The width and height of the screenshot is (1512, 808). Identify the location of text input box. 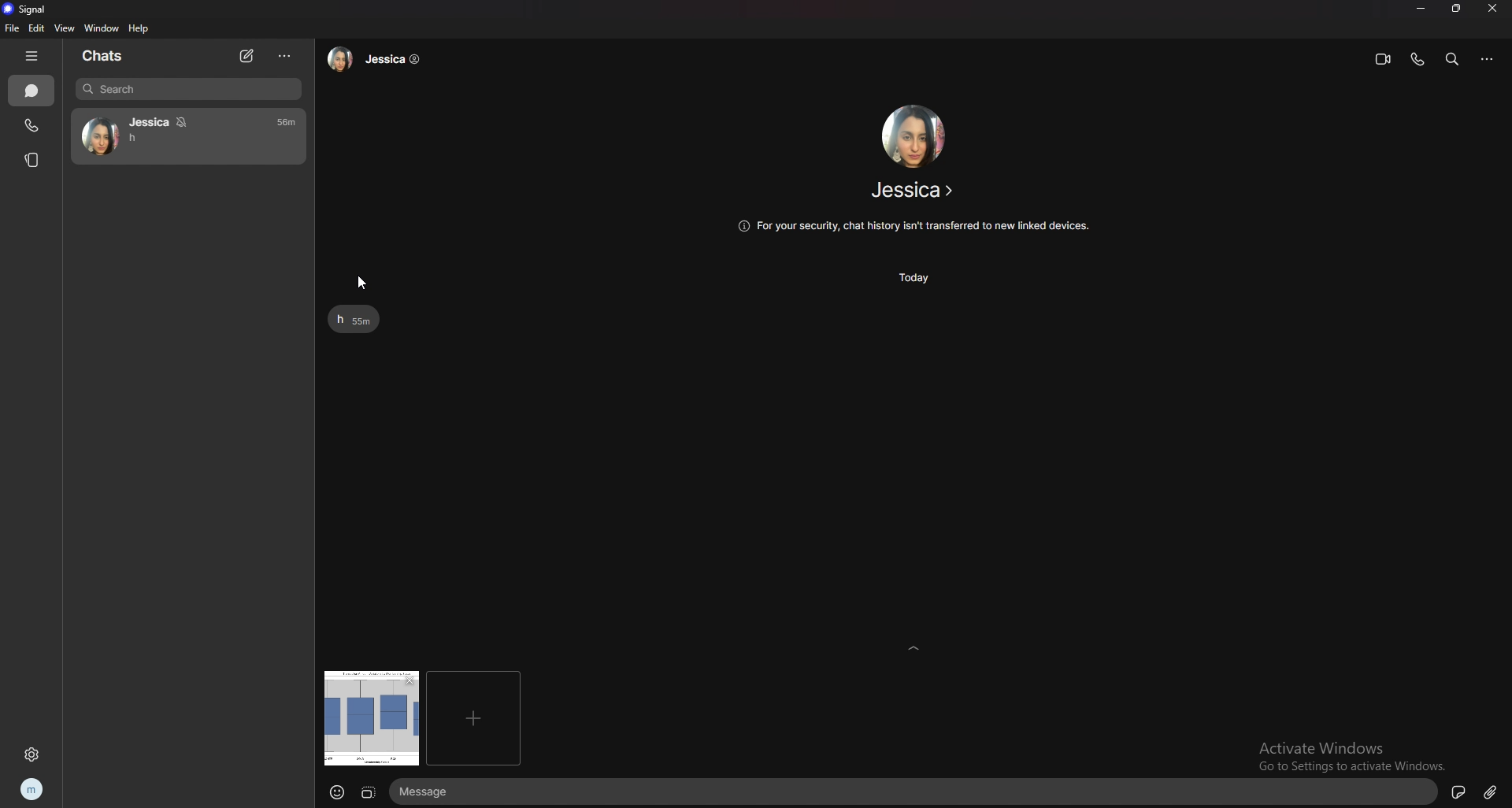
(900, 791).